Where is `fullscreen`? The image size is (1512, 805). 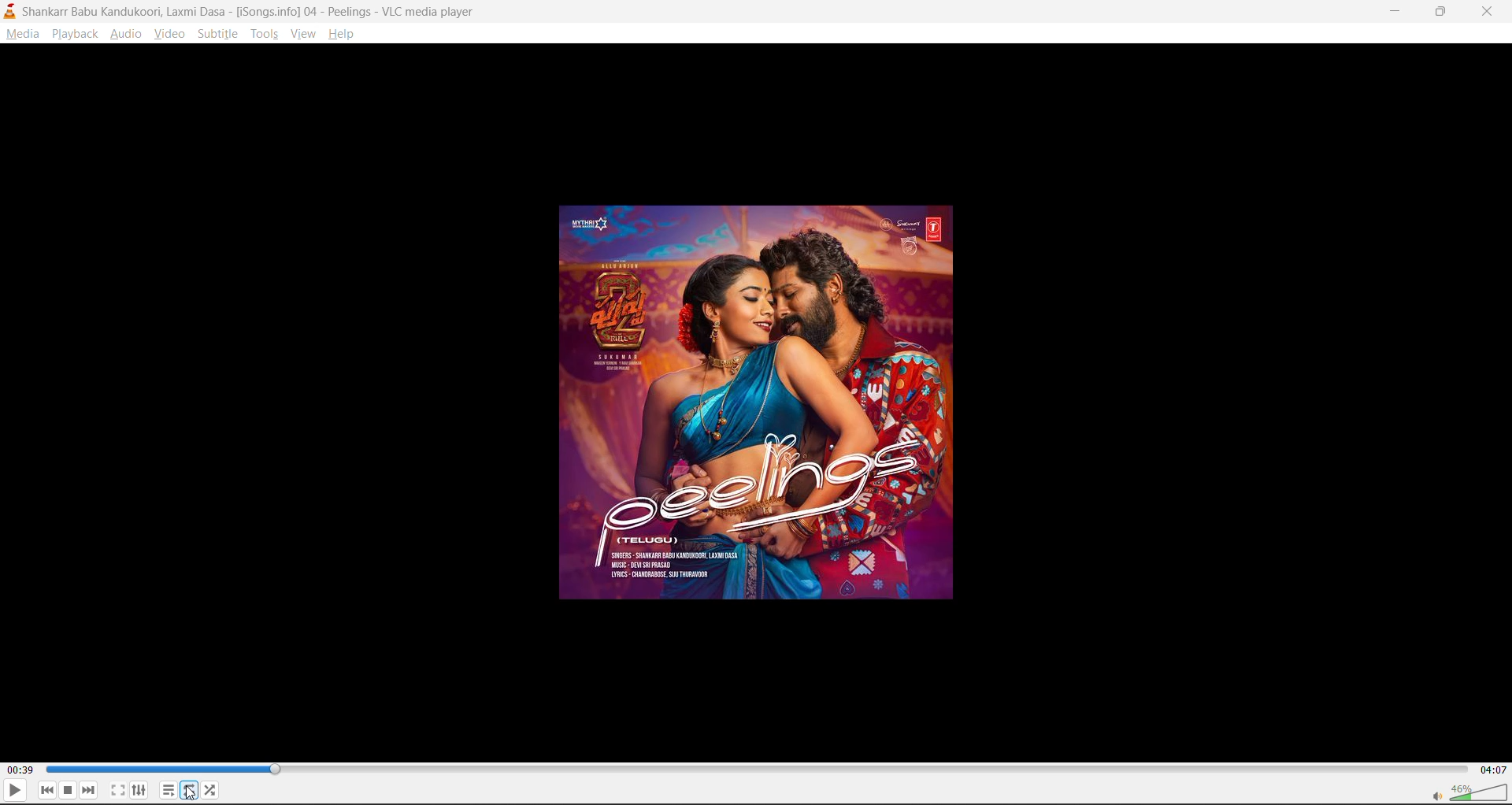 fullscreen is located at coordinates (117, 791).